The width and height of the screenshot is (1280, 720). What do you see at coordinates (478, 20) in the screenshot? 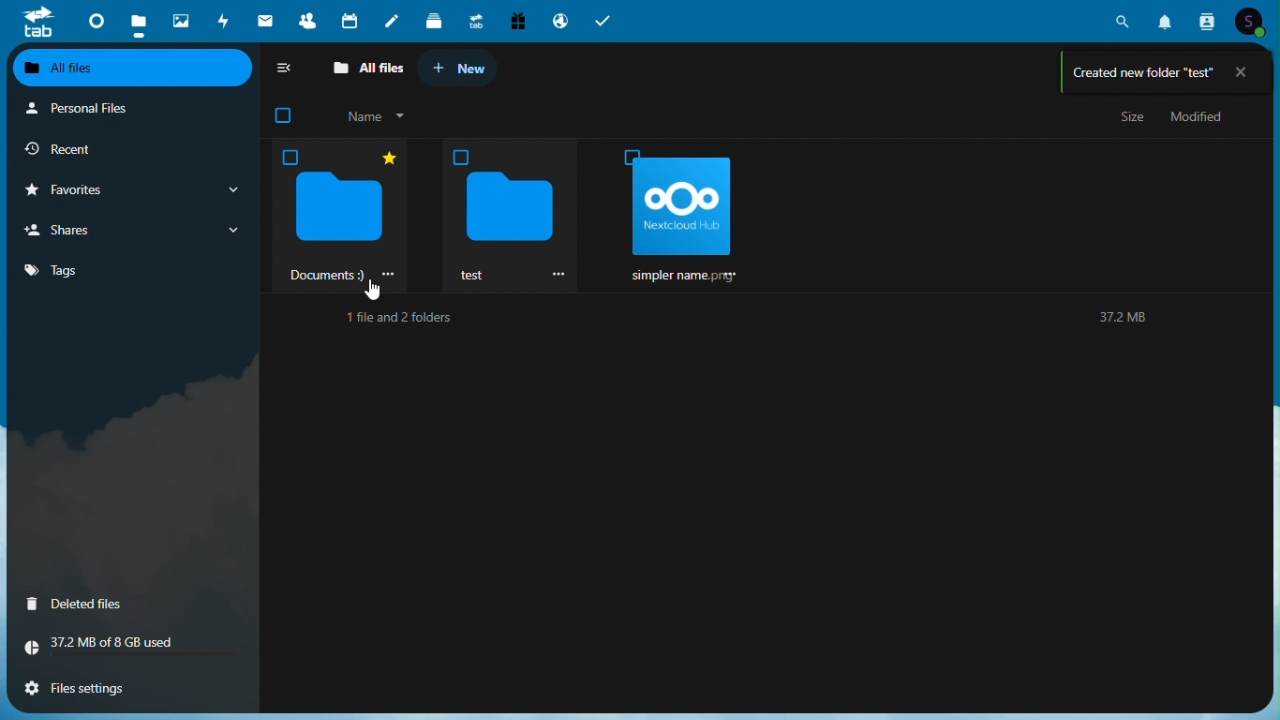
I see `Upgrade` at bounding box center [478, 20].